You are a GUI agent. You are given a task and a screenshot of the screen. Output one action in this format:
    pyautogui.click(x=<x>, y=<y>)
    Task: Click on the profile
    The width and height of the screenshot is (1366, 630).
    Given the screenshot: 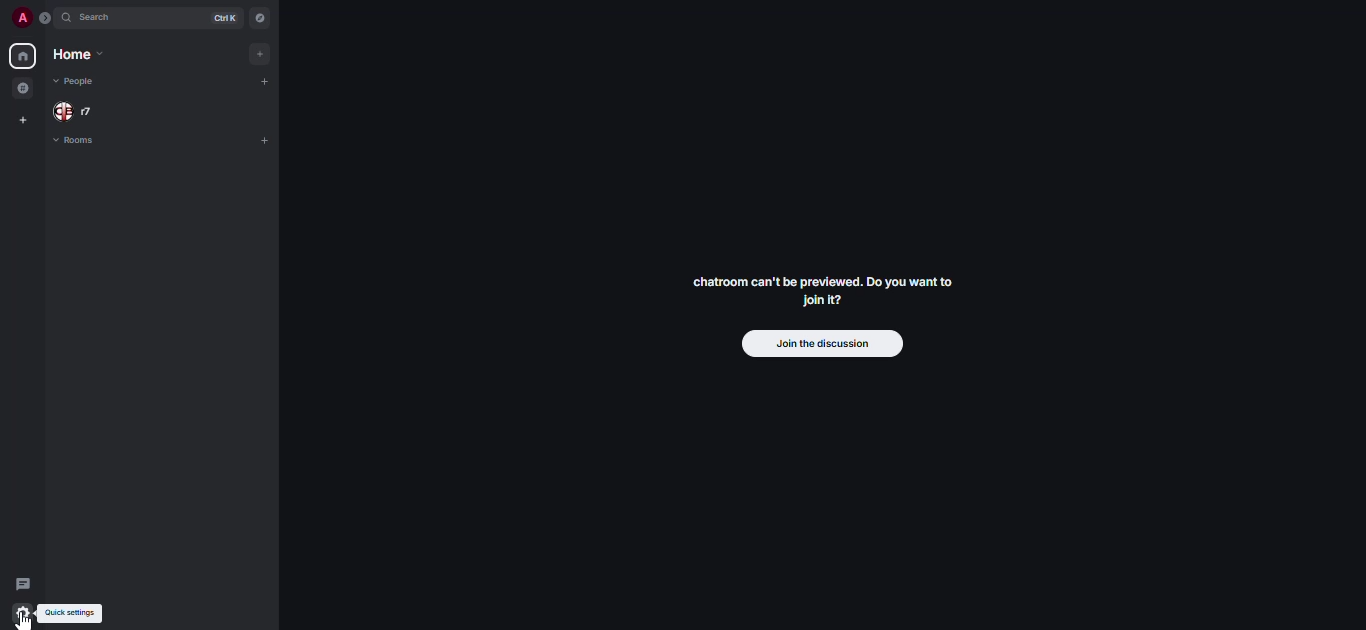 What is the action you would take?
    pyautogui.click(x=21, y=19)
    